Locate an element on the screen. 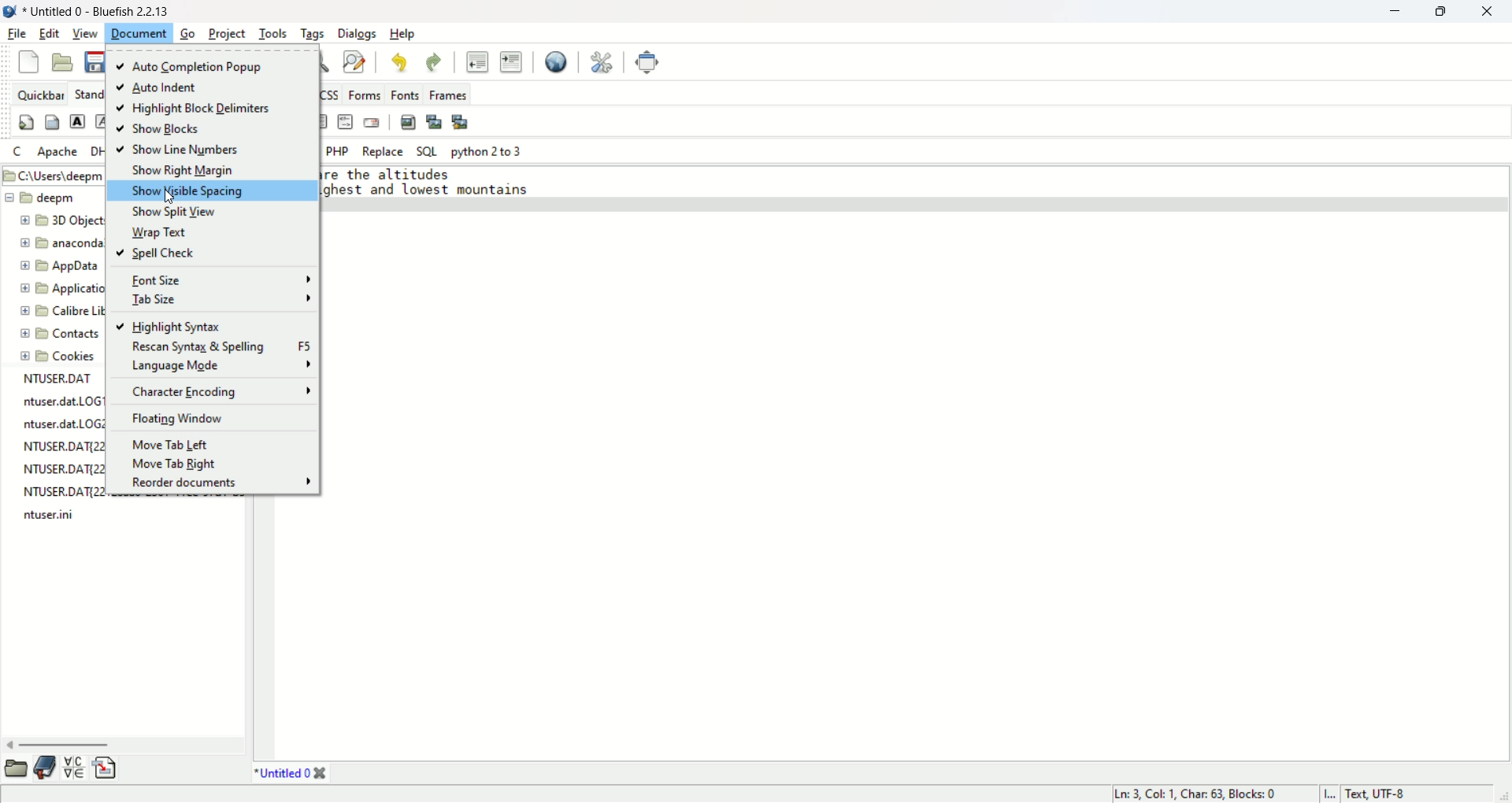  open file is located at coordinates (61, 61).